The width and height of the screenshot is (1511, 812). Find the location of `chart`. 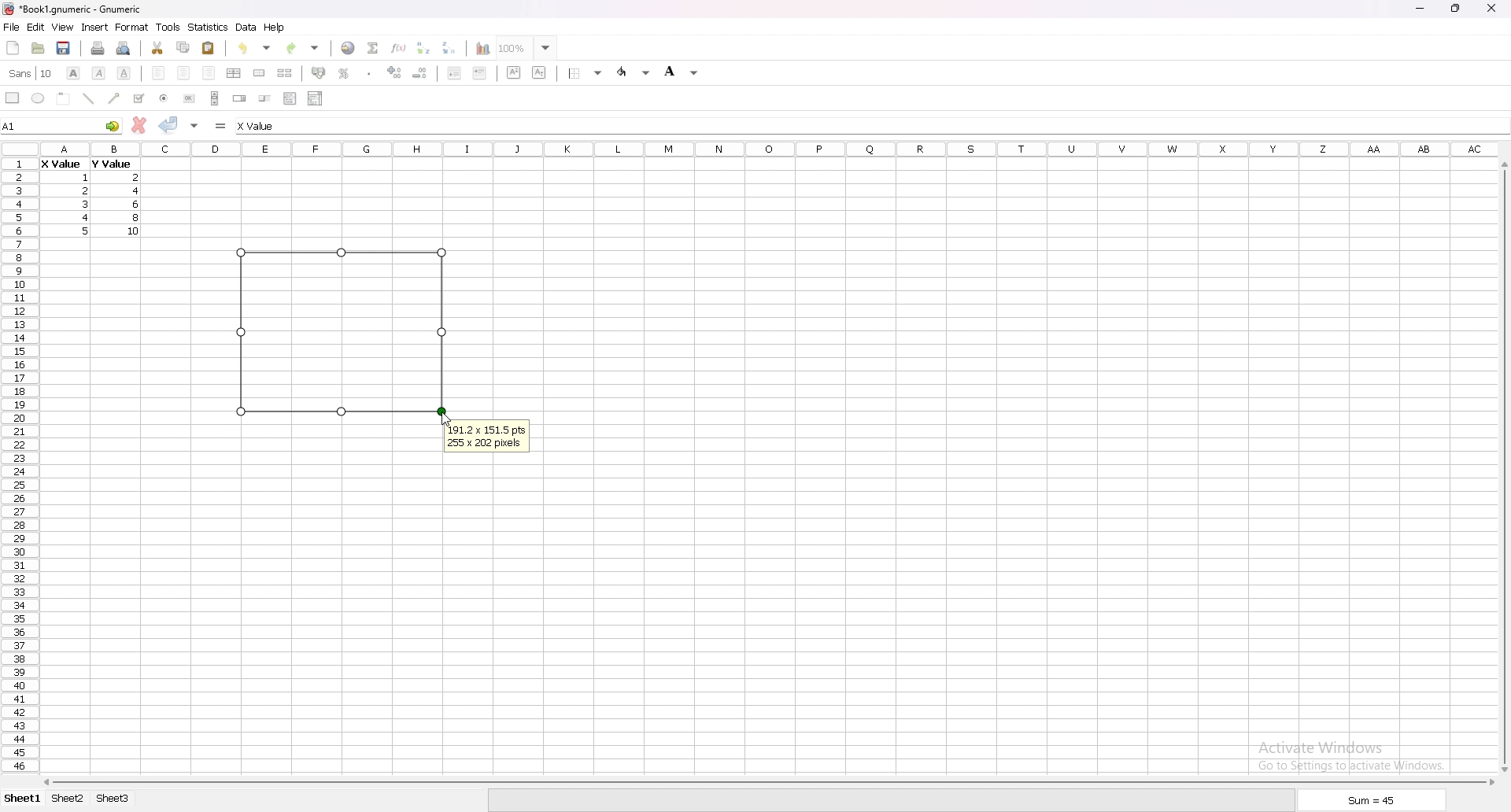

chart is located at coordinates (478, 49).